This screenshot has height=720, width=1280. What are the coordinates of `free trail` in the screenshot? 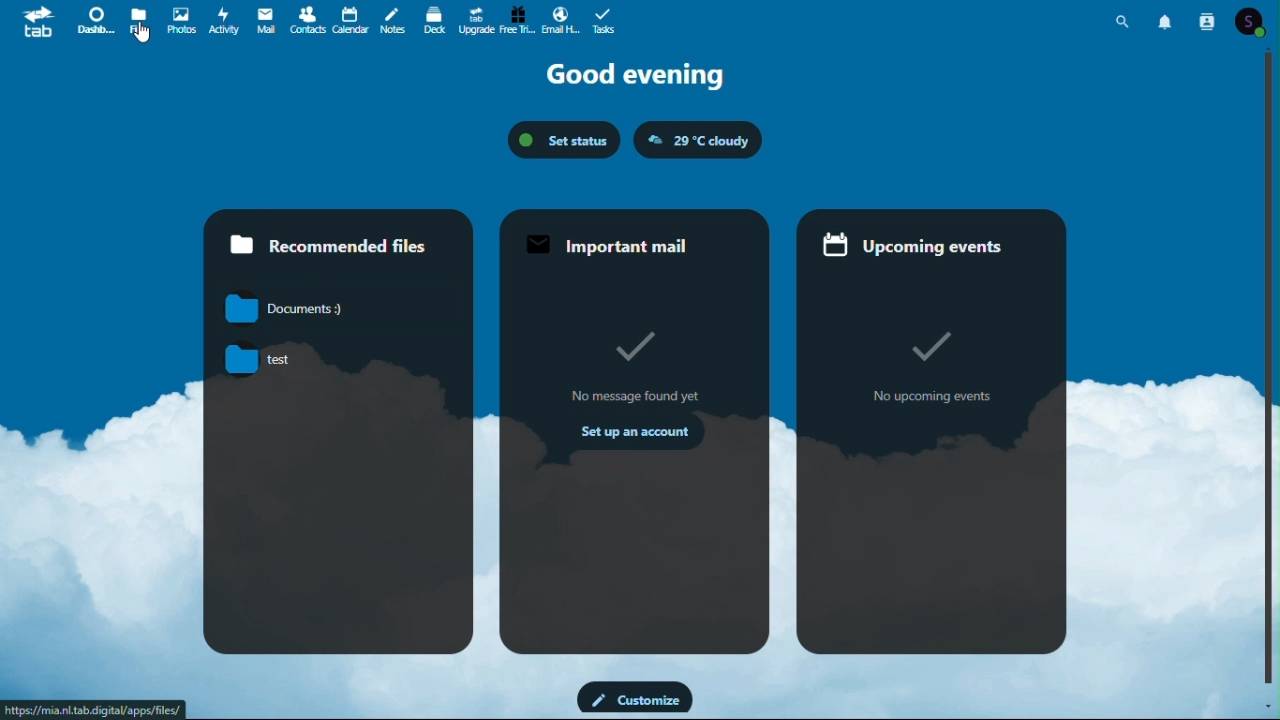 It's located at (517, 20).